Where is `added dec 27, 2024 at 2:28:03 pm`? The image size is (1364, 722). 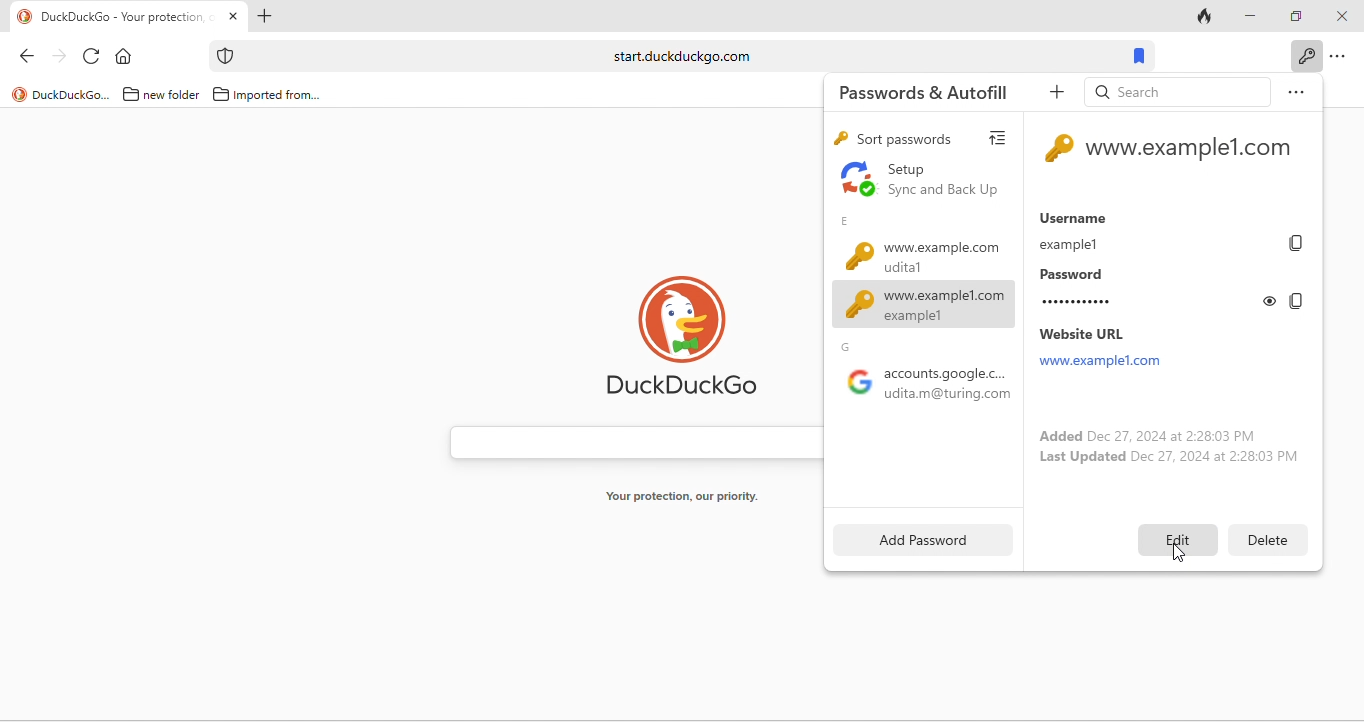
added dec 27, 2024 at 2:28:03 pm is located at coordinates (1144, 434).